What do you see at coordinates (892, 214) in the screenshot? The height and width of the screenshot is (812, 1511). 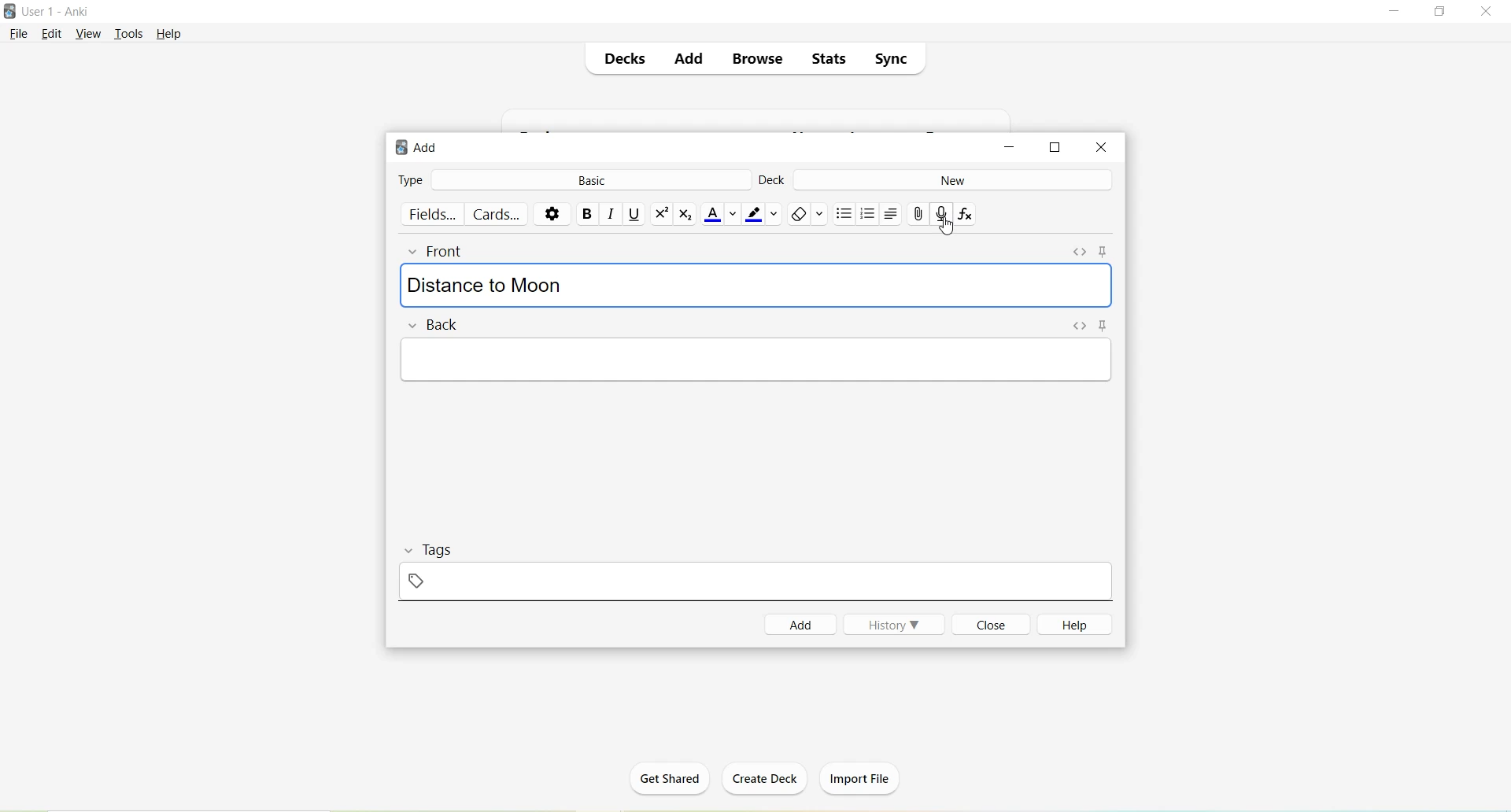 I see `Alignment` at bounding box center [892, 214].